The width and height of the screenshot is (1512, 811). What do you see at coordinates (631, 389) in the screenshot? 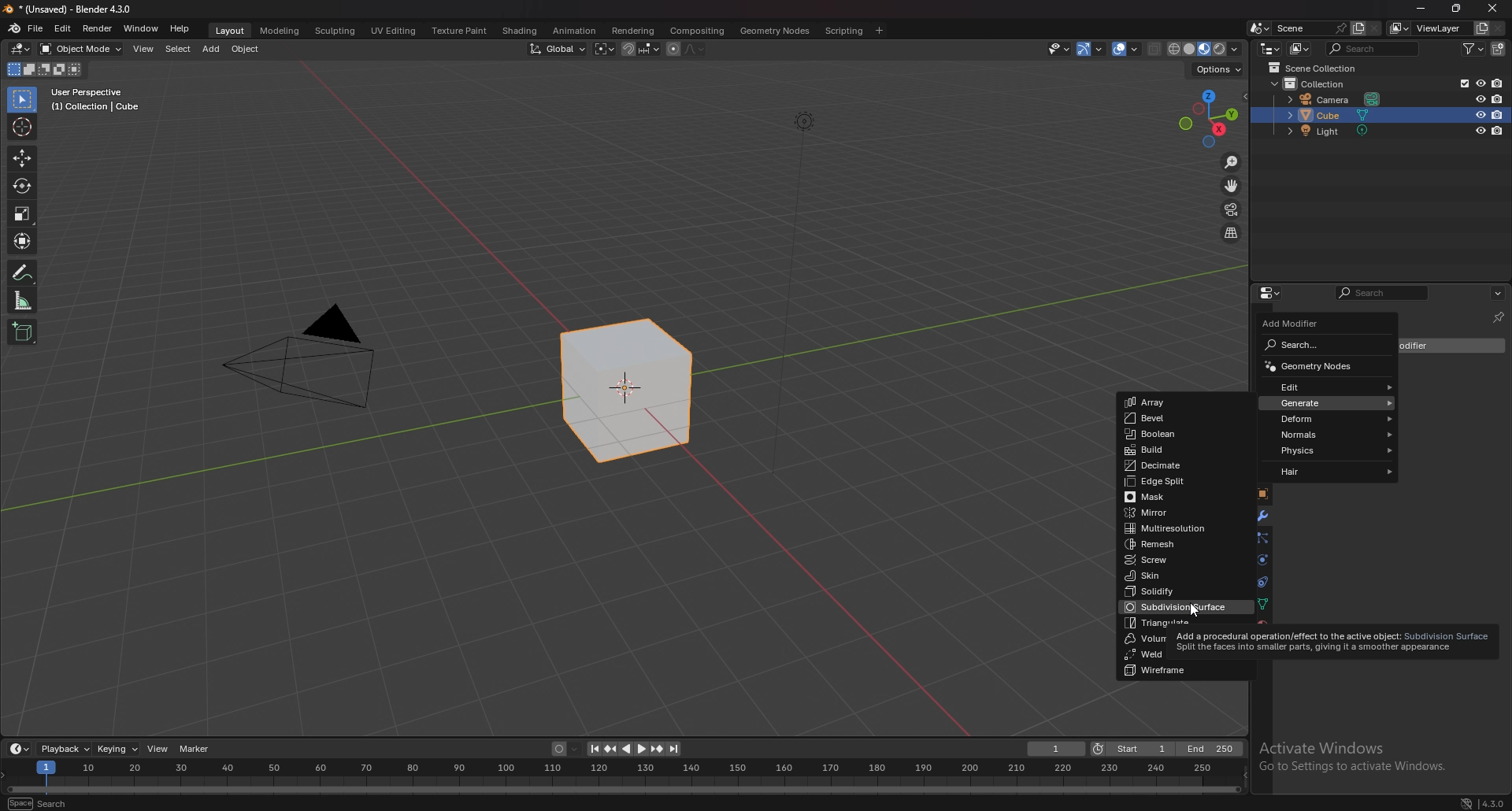
I see `selected cube` at bounding box center [631, 389].